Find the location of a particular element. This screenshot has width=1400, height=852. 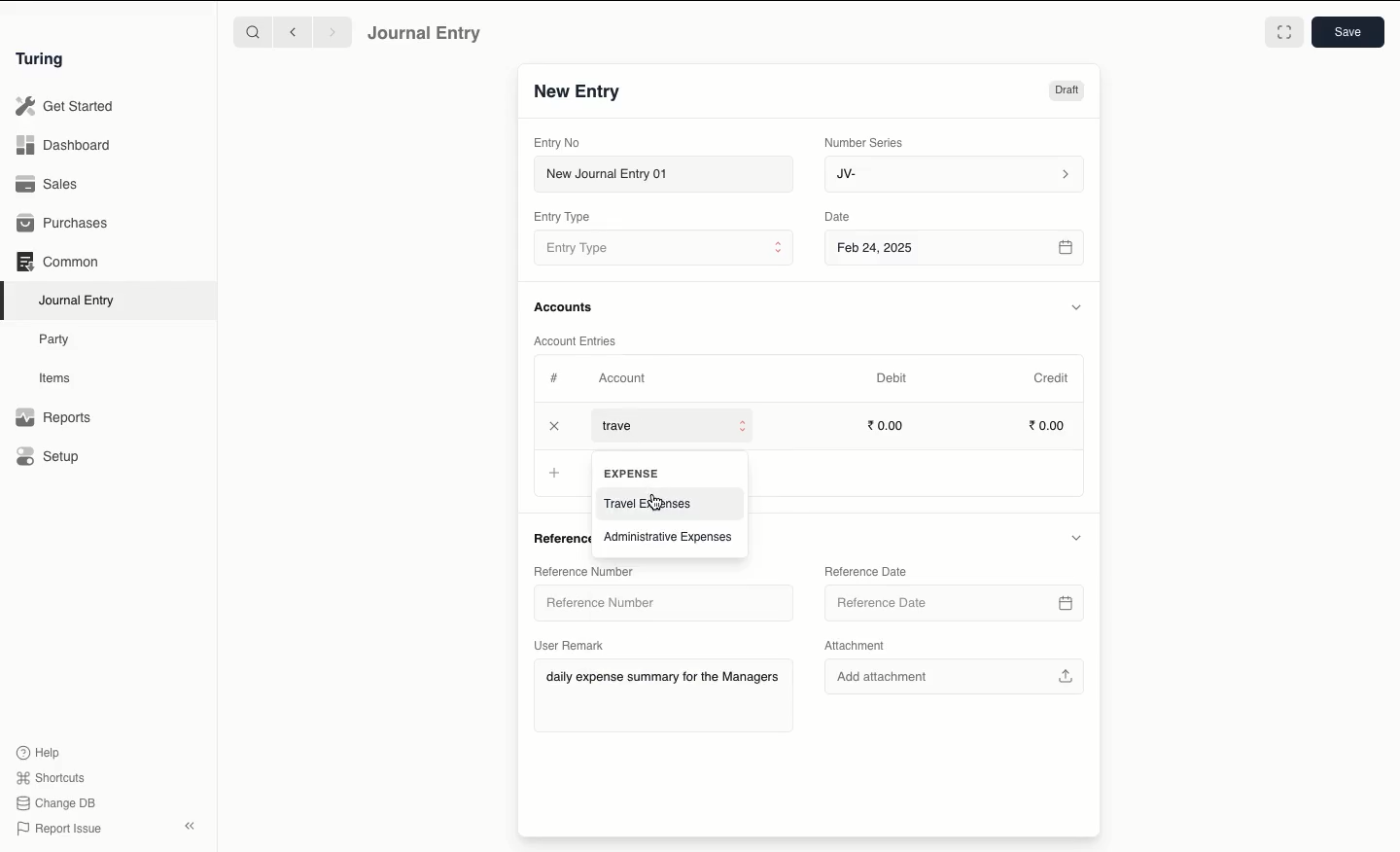

Credit is located at coordinates (1053, 378).